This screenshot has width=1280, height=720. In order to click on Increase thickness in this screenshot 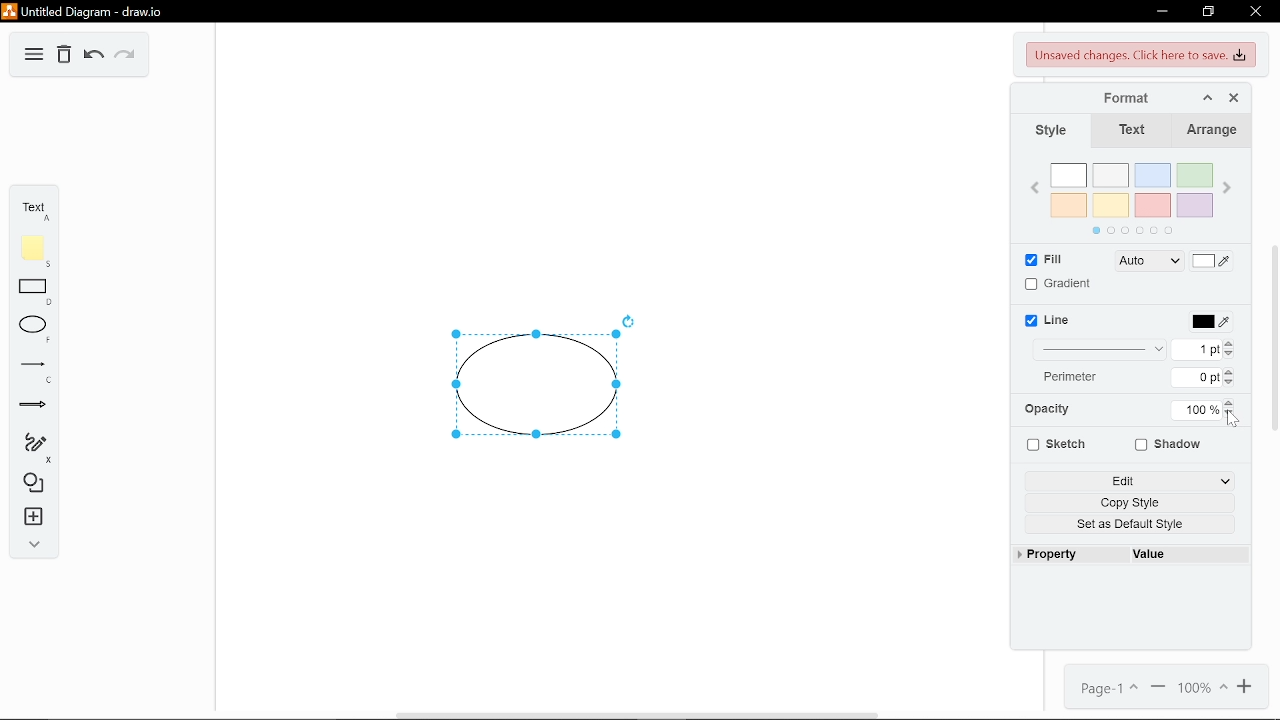, I will do `click(1231, 342)`.